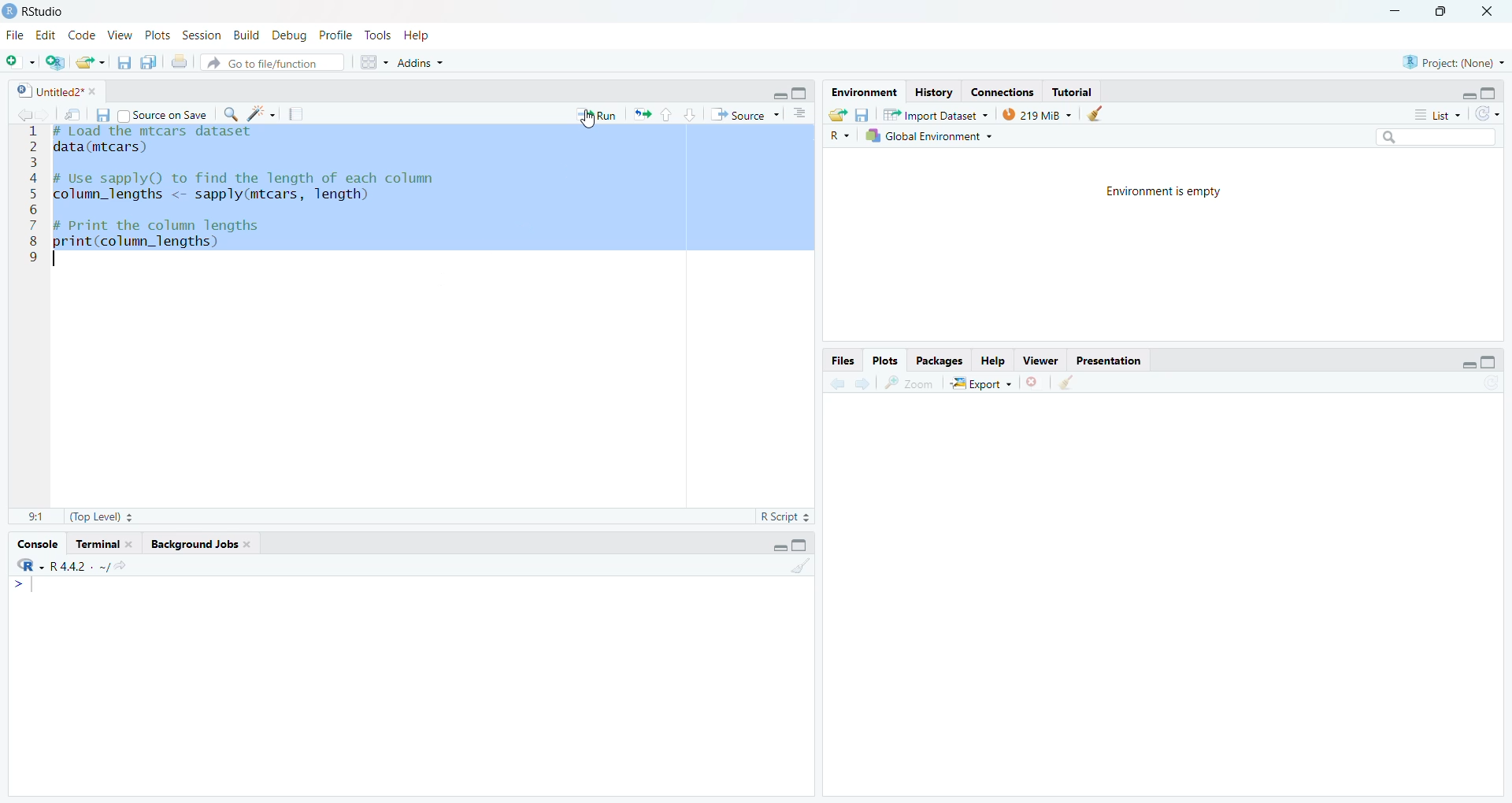  What do you see at coordinates (90, 62) in the screenshot?
I see `Open an existing file` at bounding box center [90, 62].